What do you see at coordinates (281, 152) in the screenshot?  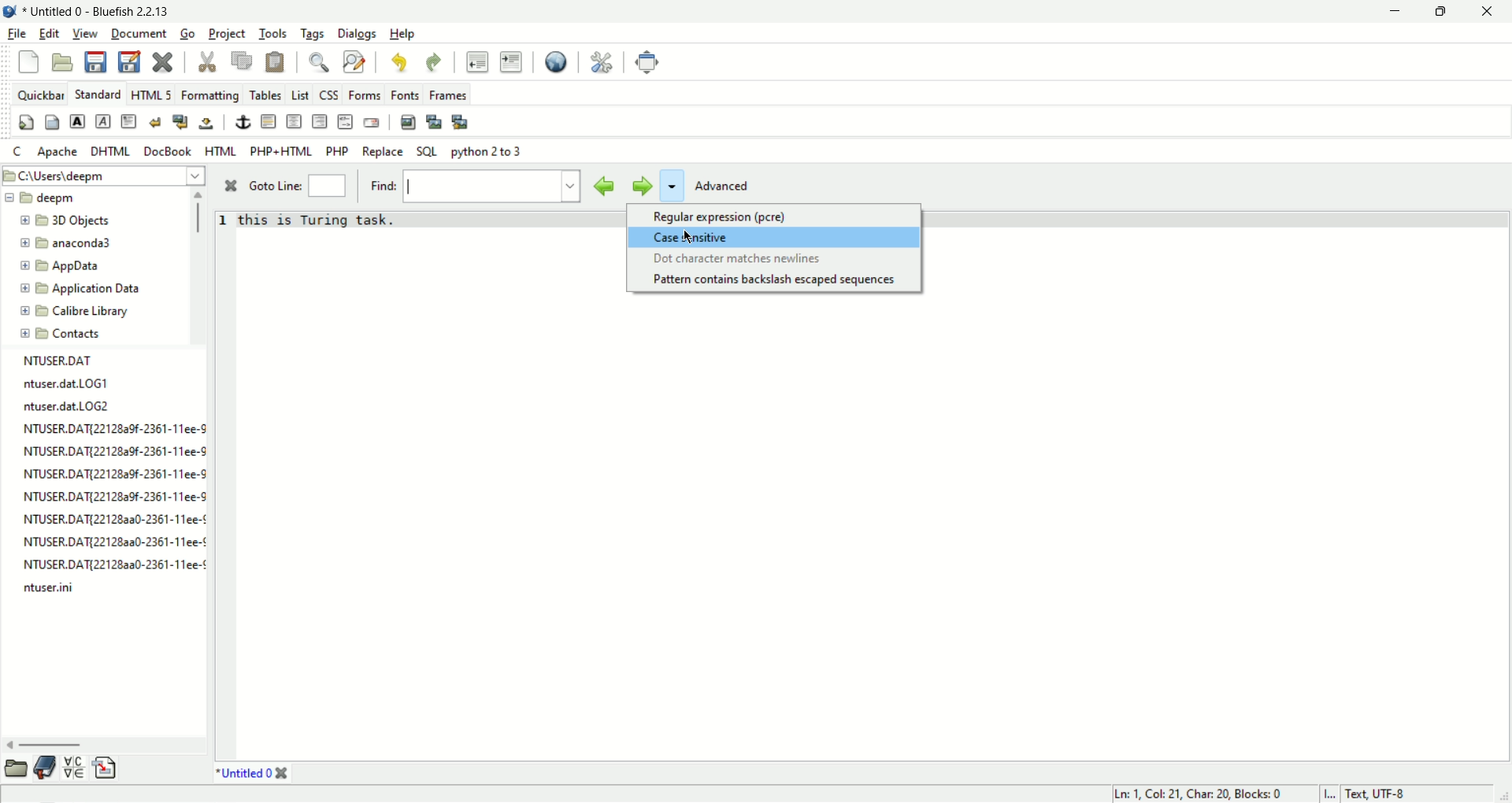 I see `PHP+HTML` at bounding box center [281, 152].